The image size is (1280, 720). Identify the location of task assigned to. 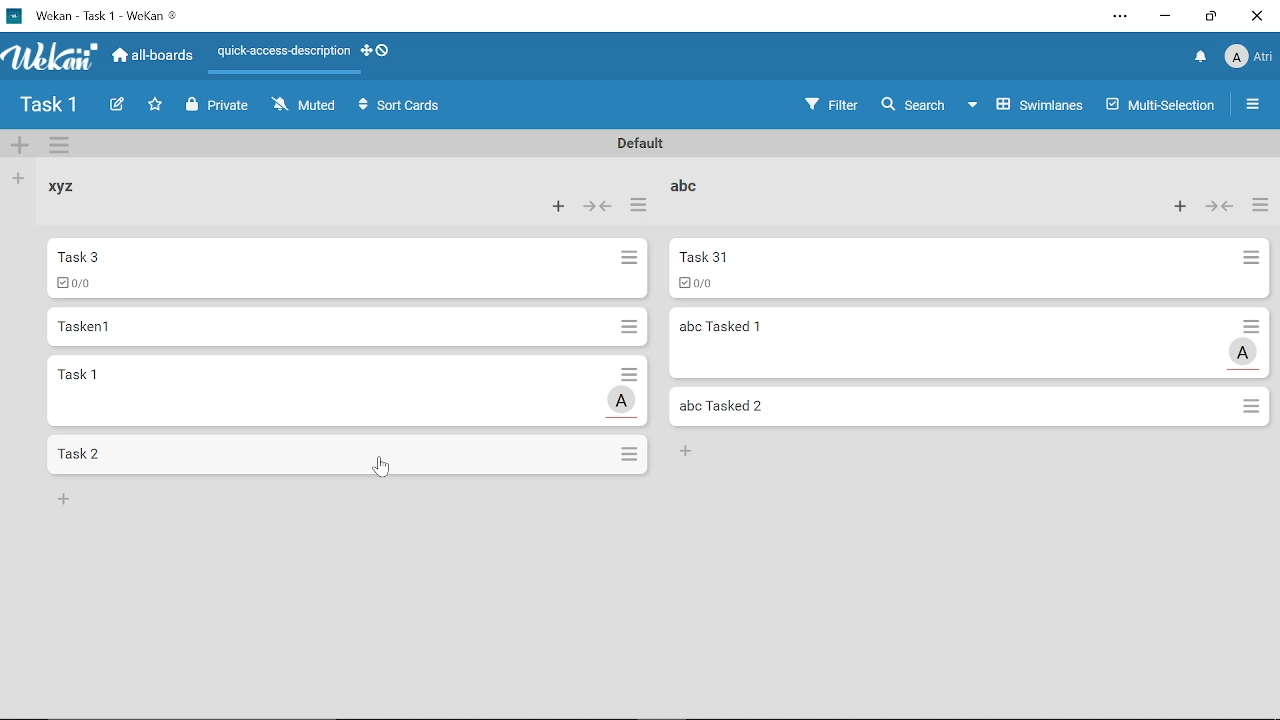
(623, 401).